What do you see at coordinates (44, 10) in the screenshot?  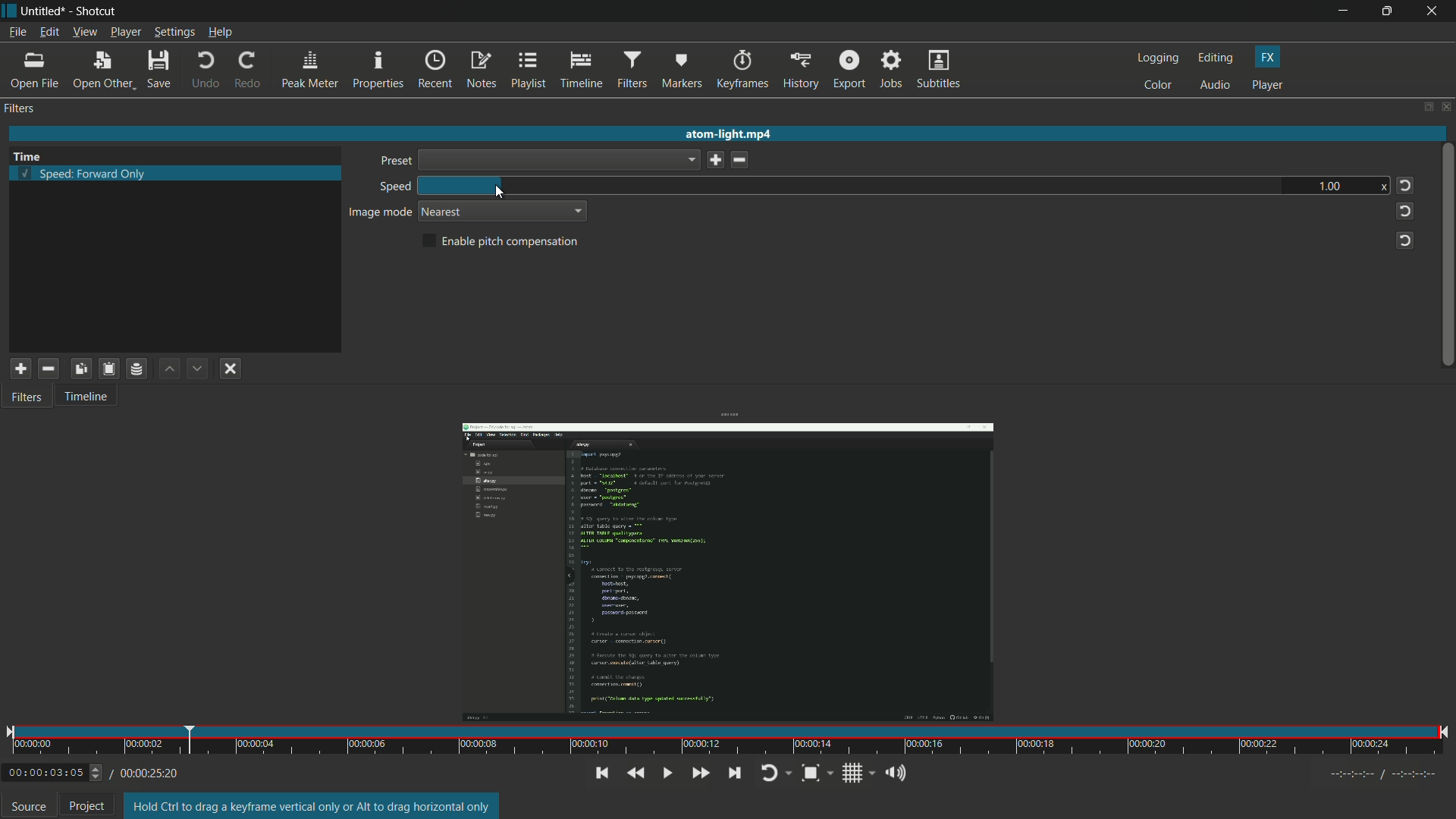 I see `untitled` at bounding box center [44, 10].